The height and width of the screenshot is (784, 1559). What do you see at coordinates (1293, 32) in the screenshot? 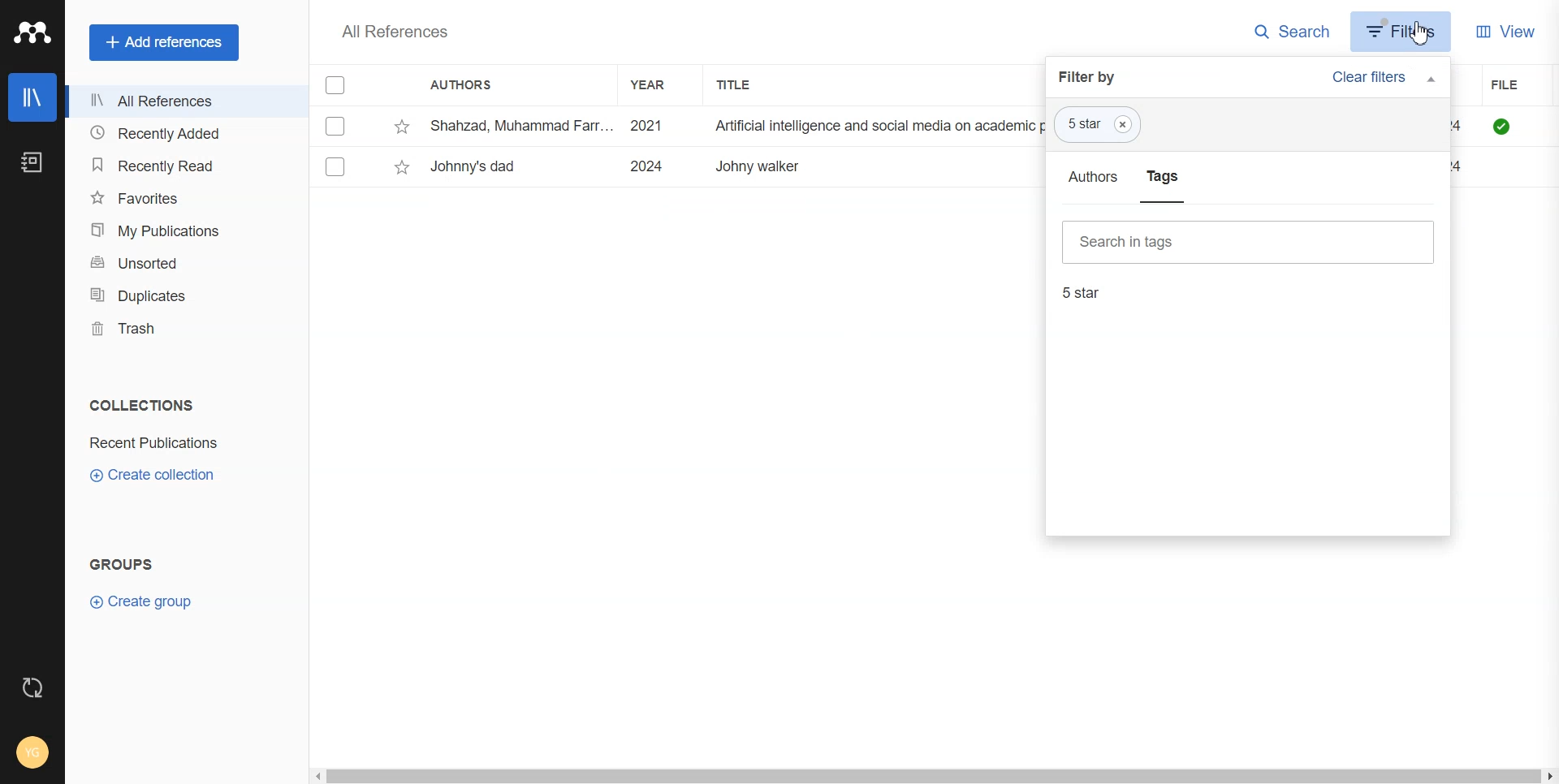
I see `Search` at bounding box center [1293, 32].